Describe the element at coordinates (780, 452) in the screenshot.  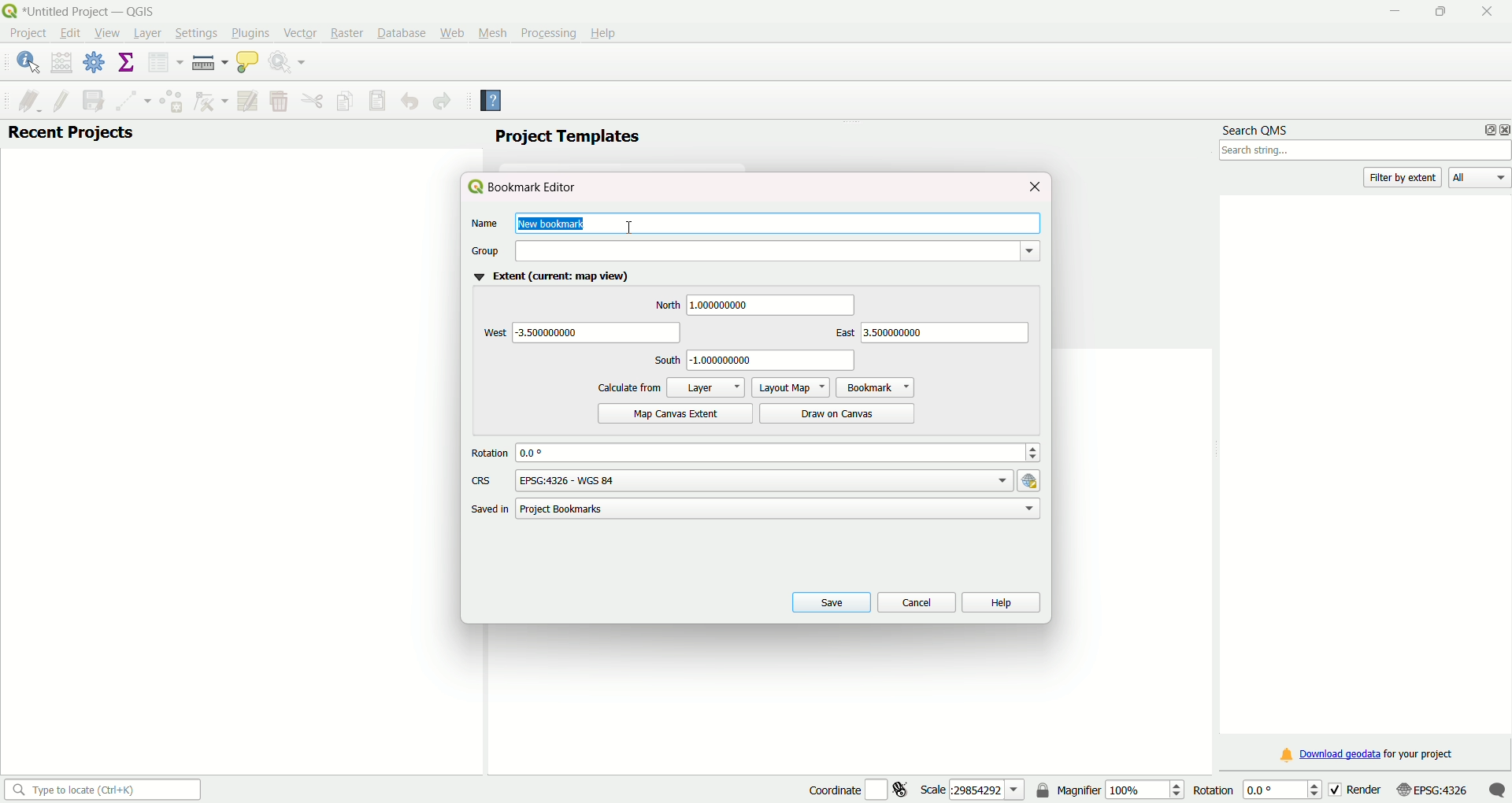
I see `text box` at that location.